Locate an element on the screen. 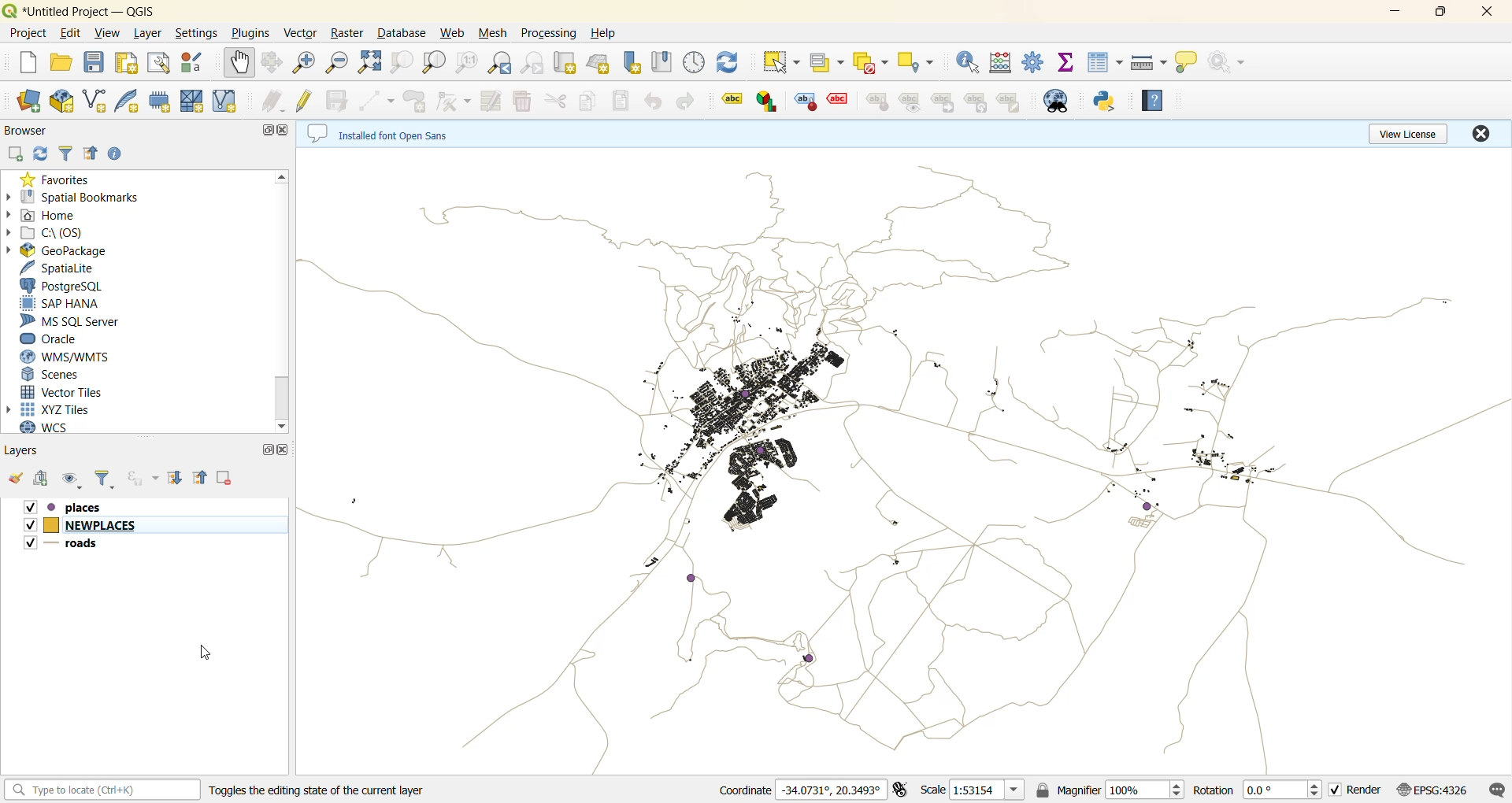 The image size is (1512, 803). filter is located at coordinates (102, 481).